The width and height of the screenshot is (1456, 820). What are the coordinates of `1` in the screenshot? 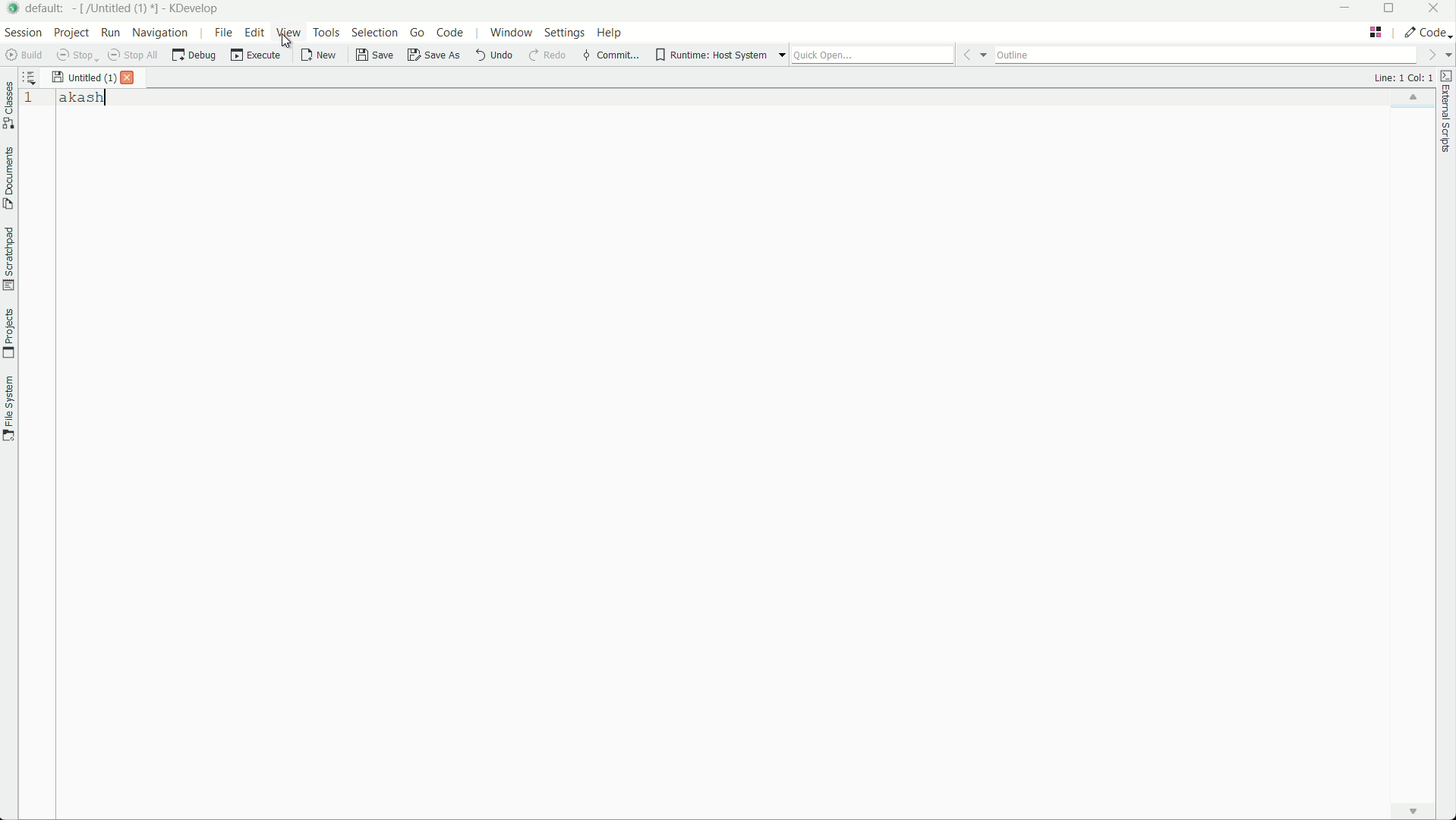 It's located at (30, 102).